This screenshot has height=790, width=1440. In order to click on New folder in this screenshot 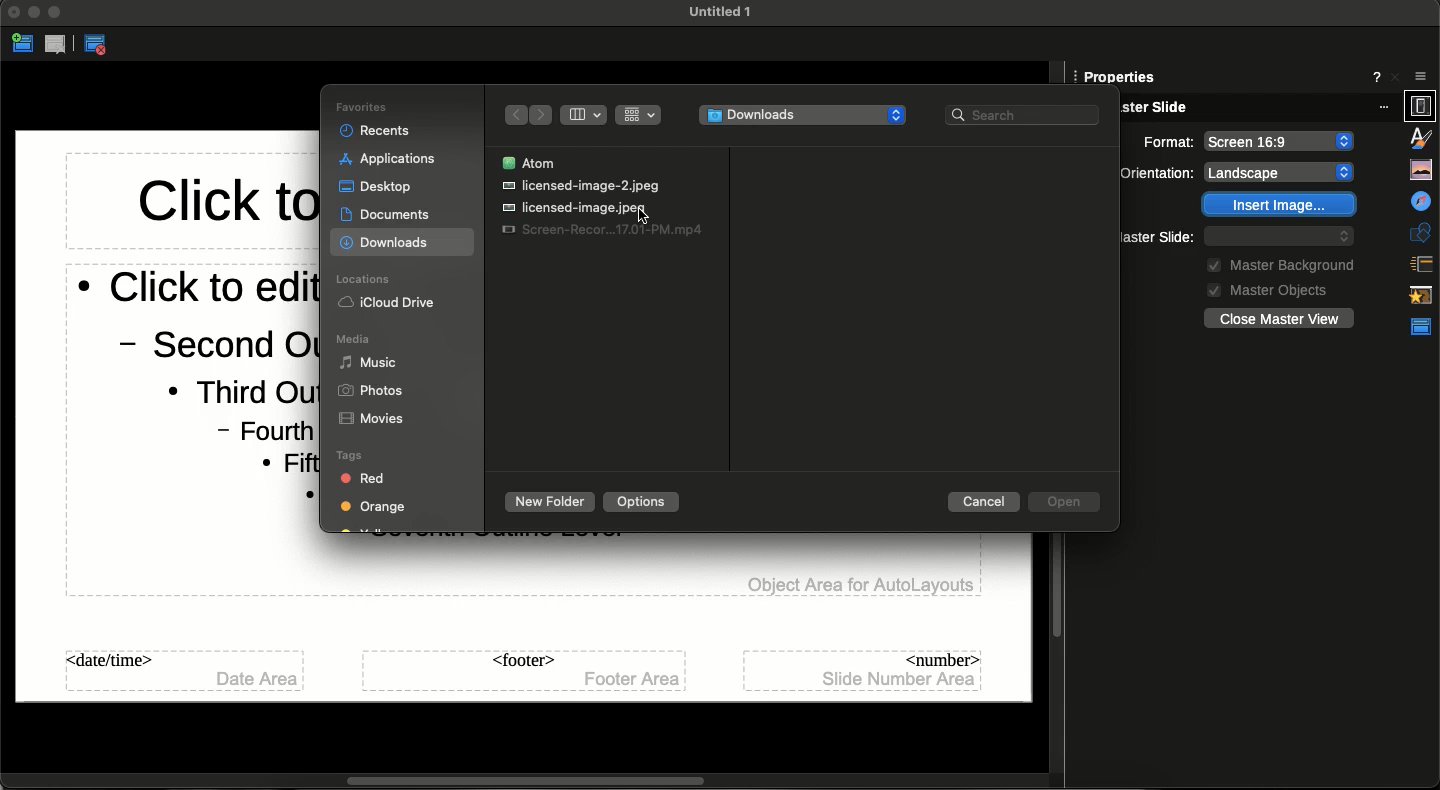, I will do `click(549, 502)`.